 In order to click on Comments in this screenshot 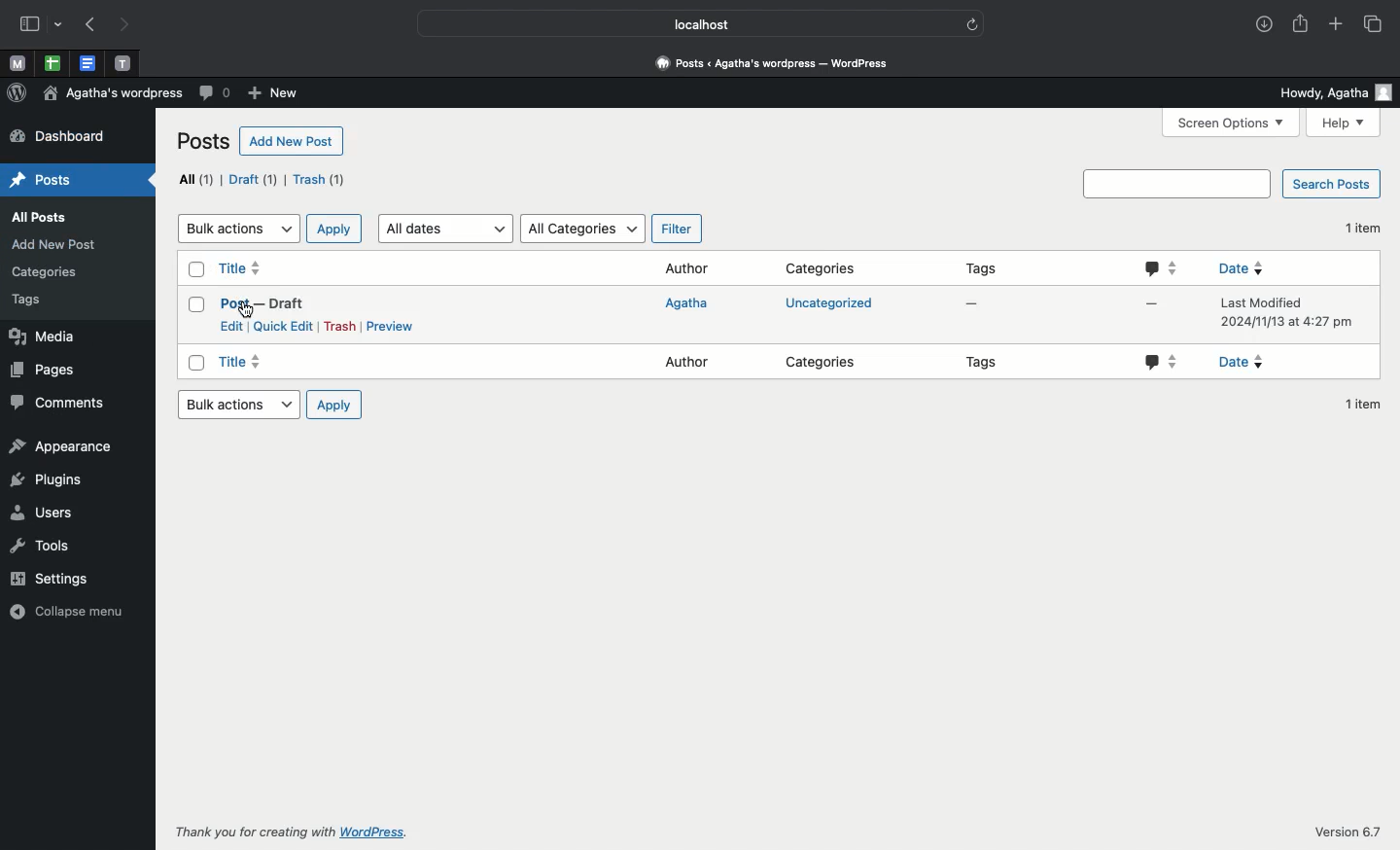, I will do `click(65, 404)`.